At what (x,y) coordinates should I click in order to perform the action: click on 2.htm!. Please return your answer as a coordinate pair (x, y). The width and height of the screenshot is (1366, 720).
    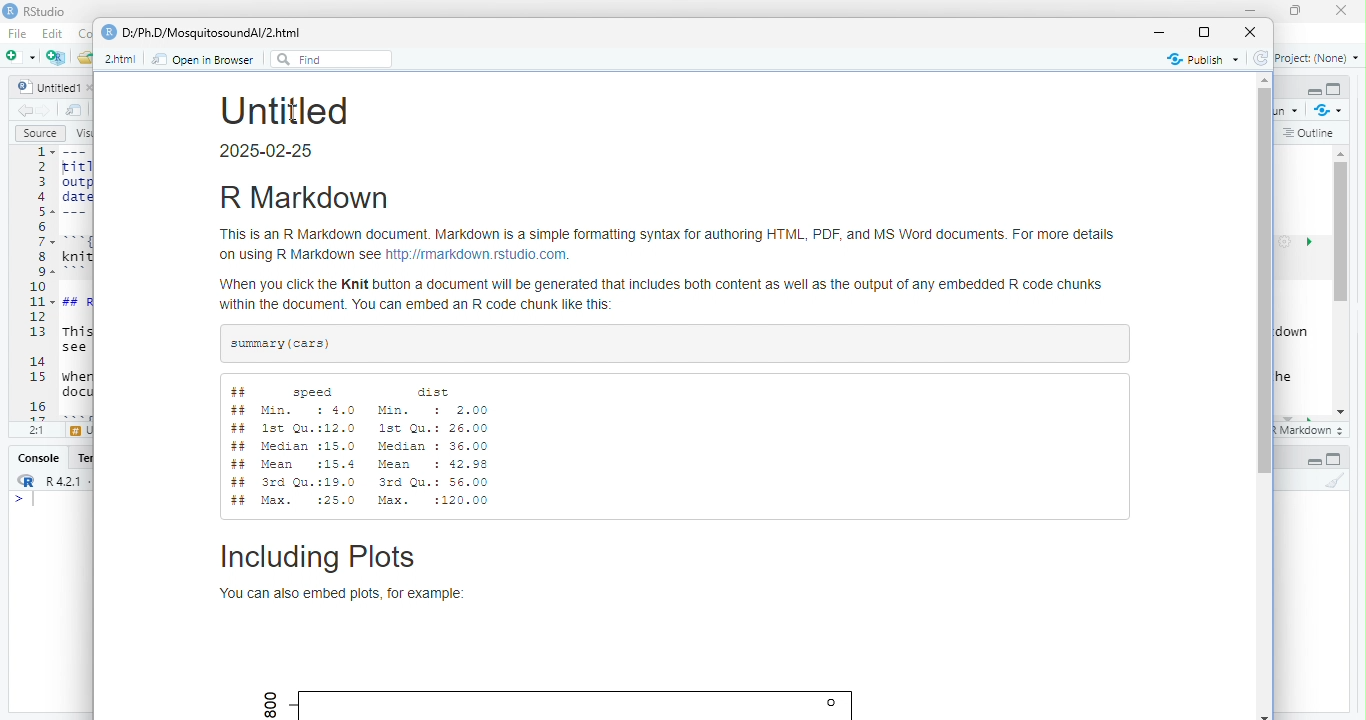
    Looking at the image, I should click on (120, 59).